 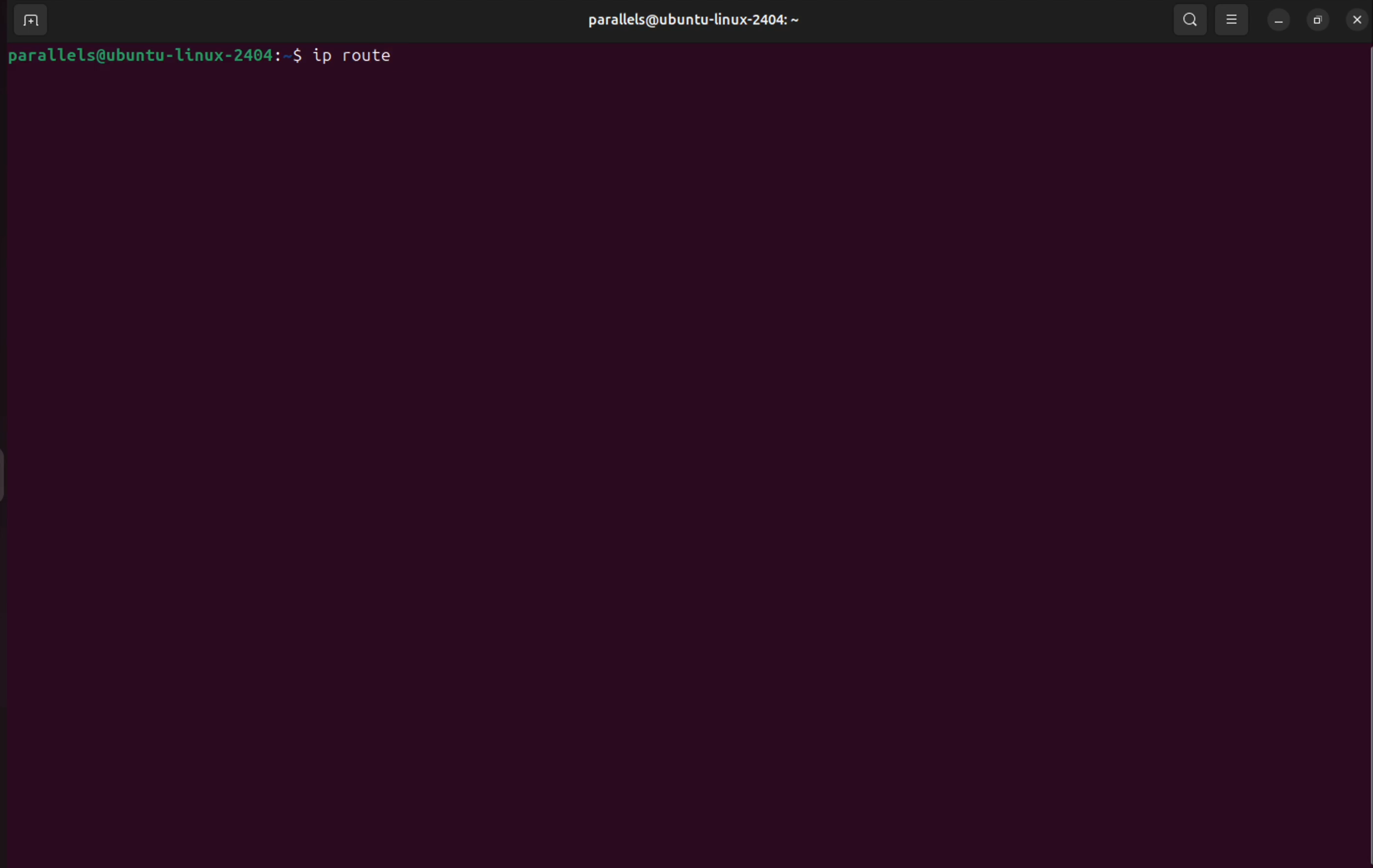 What do you see at coordinates (1278, 20) in the screenshot?
I see `minimize` at bounding box center [1278, 20].